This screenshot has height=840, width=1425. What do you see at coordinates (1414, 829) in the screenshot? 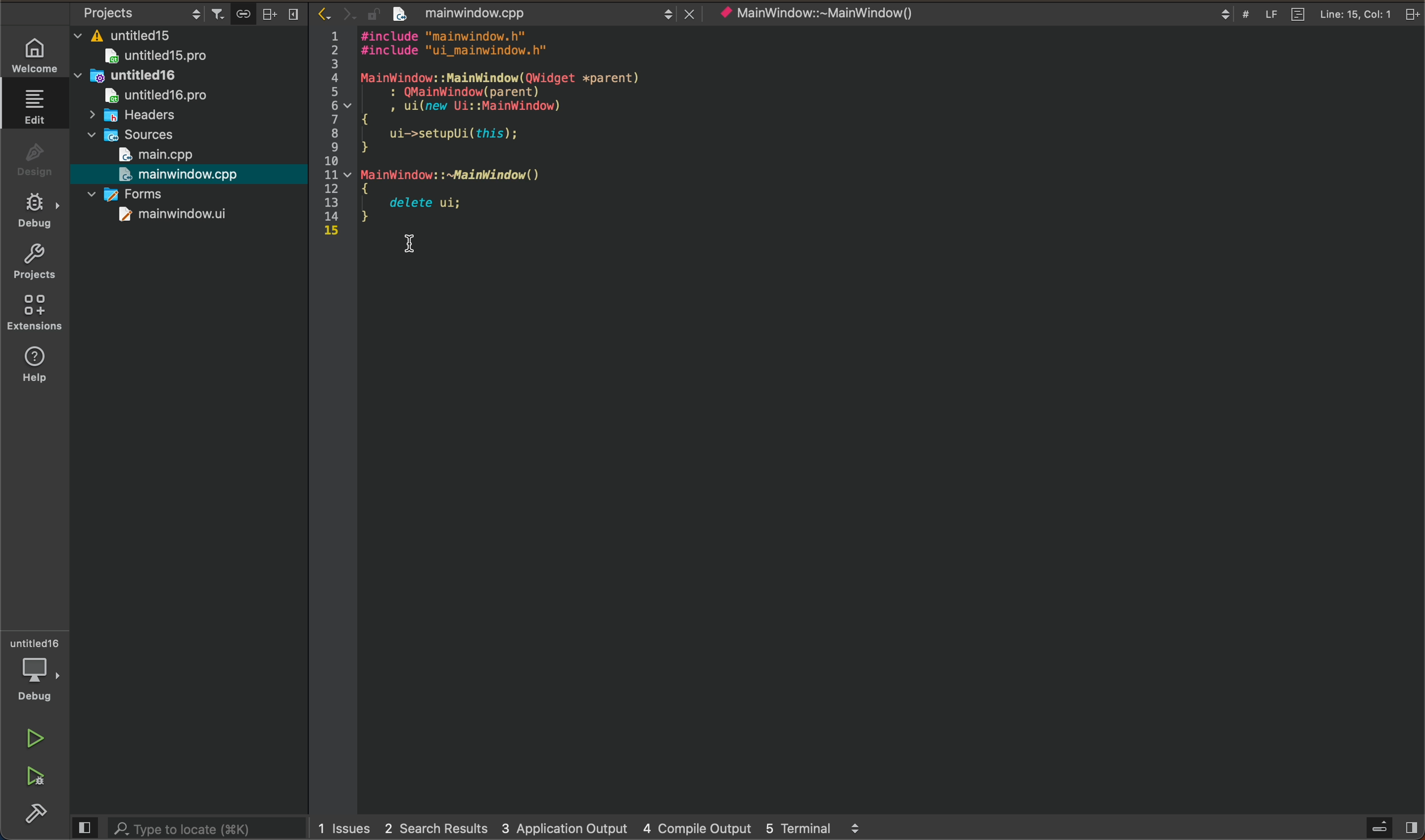
I see `show right pane` at bounding box center [1414, 829].